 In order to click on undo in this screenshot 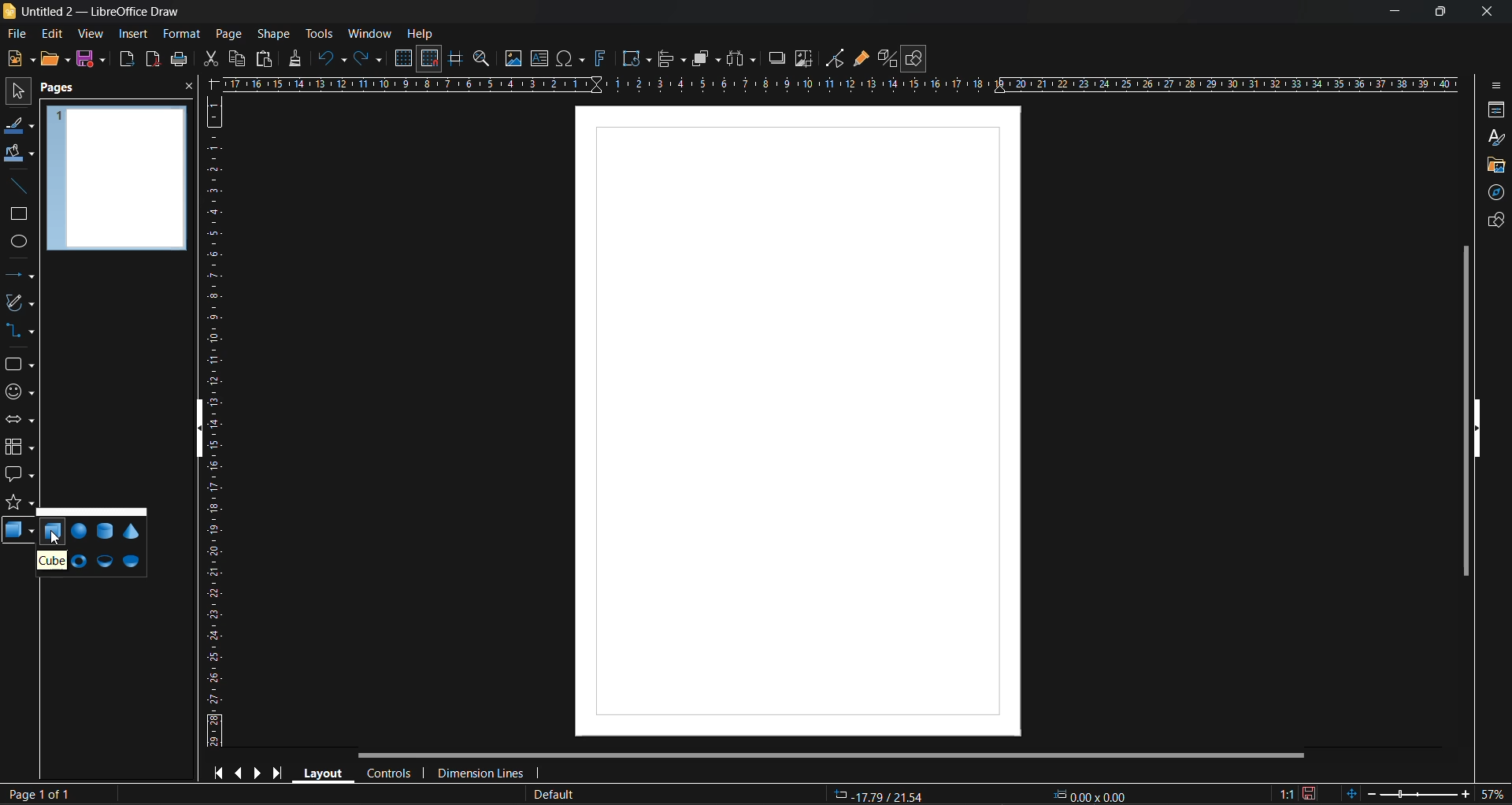, I will do `click(333, 59)`.